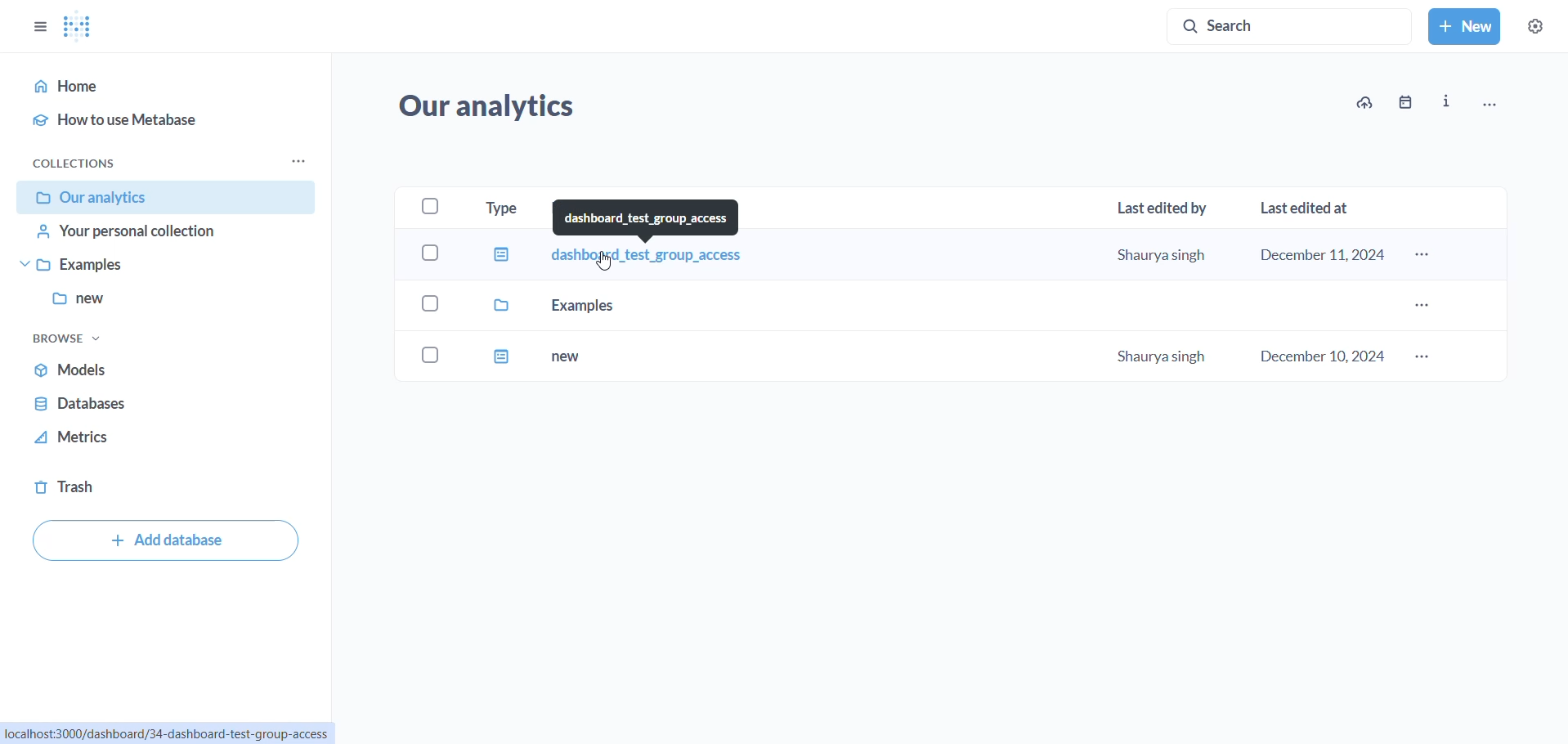 The image size is (1568, 744). Describe the element at coordinates (432, 300) in the screenshot. I see `select checkbox` at that location.